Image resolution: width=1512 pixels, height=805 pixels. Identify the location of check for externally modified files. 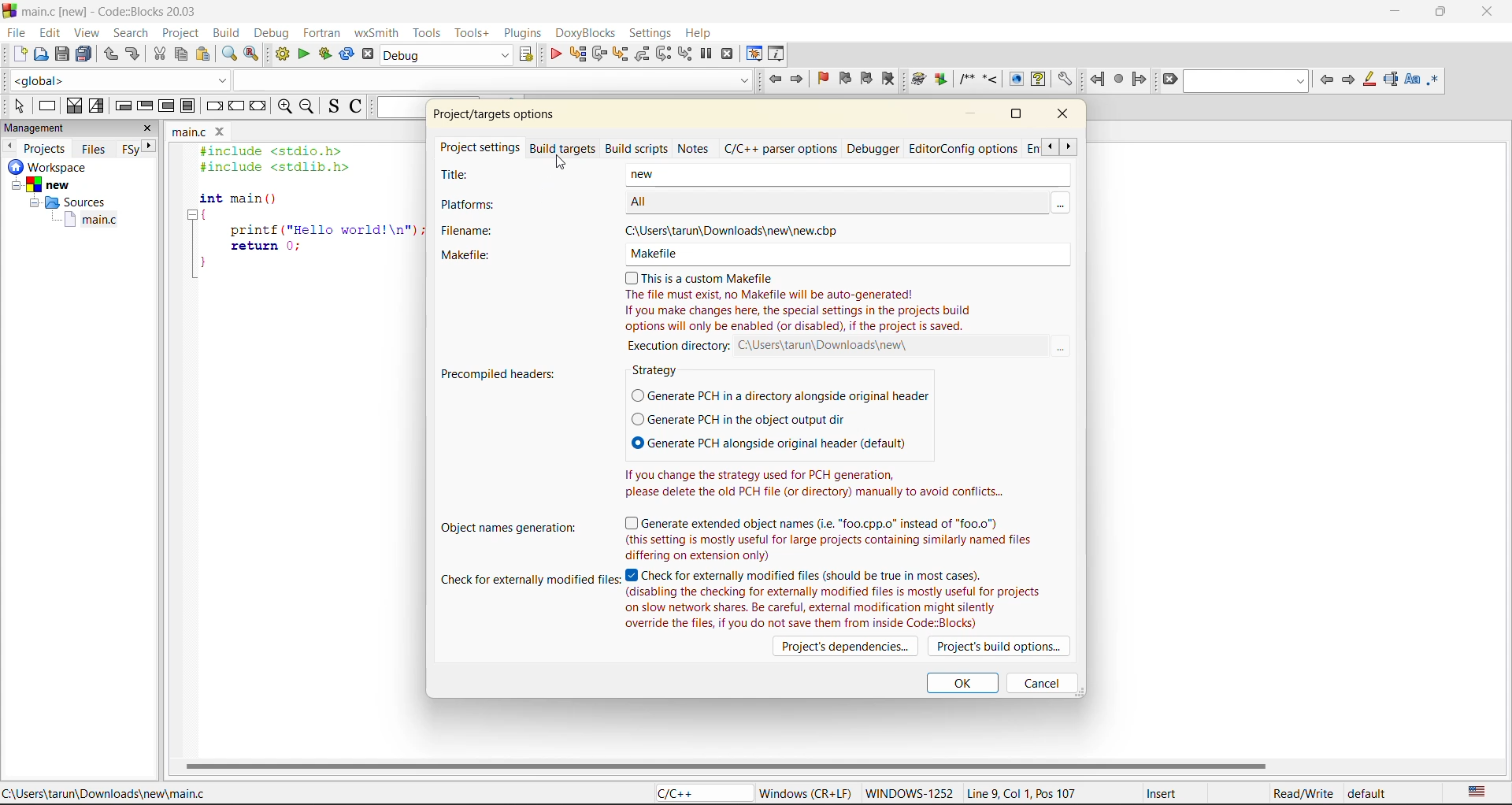
(532, 577).